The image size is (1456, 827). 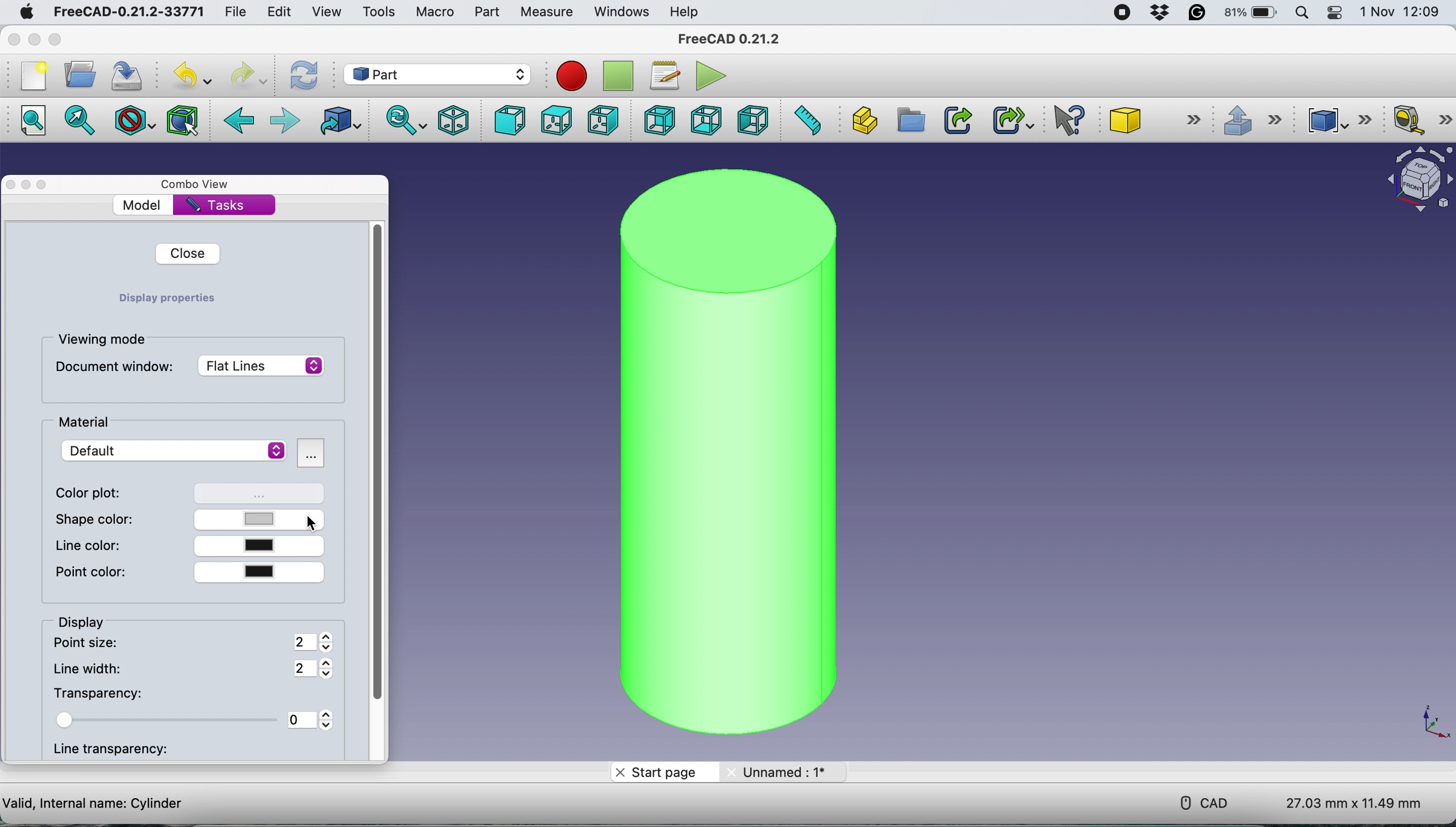 What do you see at coordinates (325, 12) in the screenshot?
I see `view` at bounding box center [325, 12].